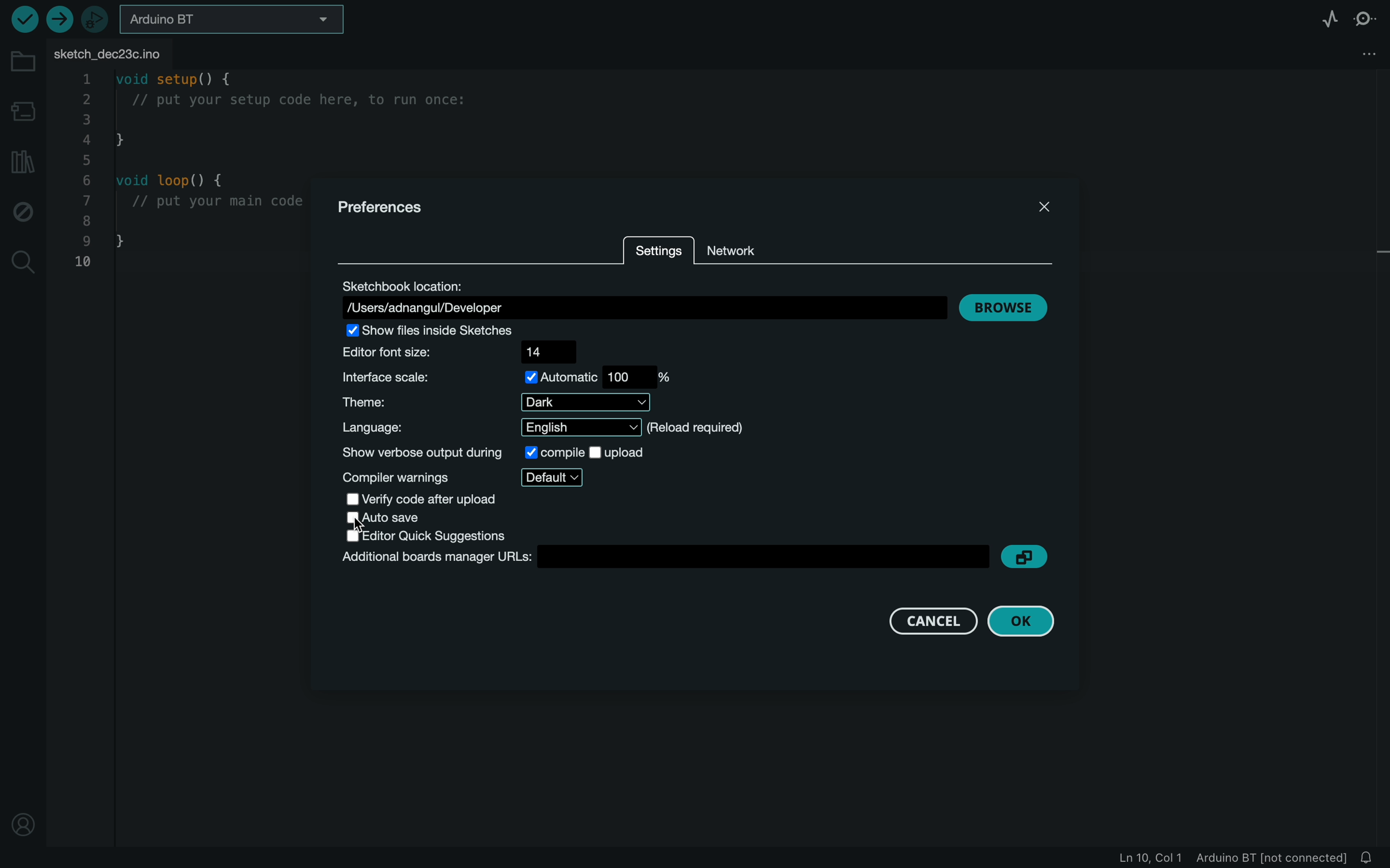 The image size is (1390, 868). I want to click on debug, so click(24, 214).